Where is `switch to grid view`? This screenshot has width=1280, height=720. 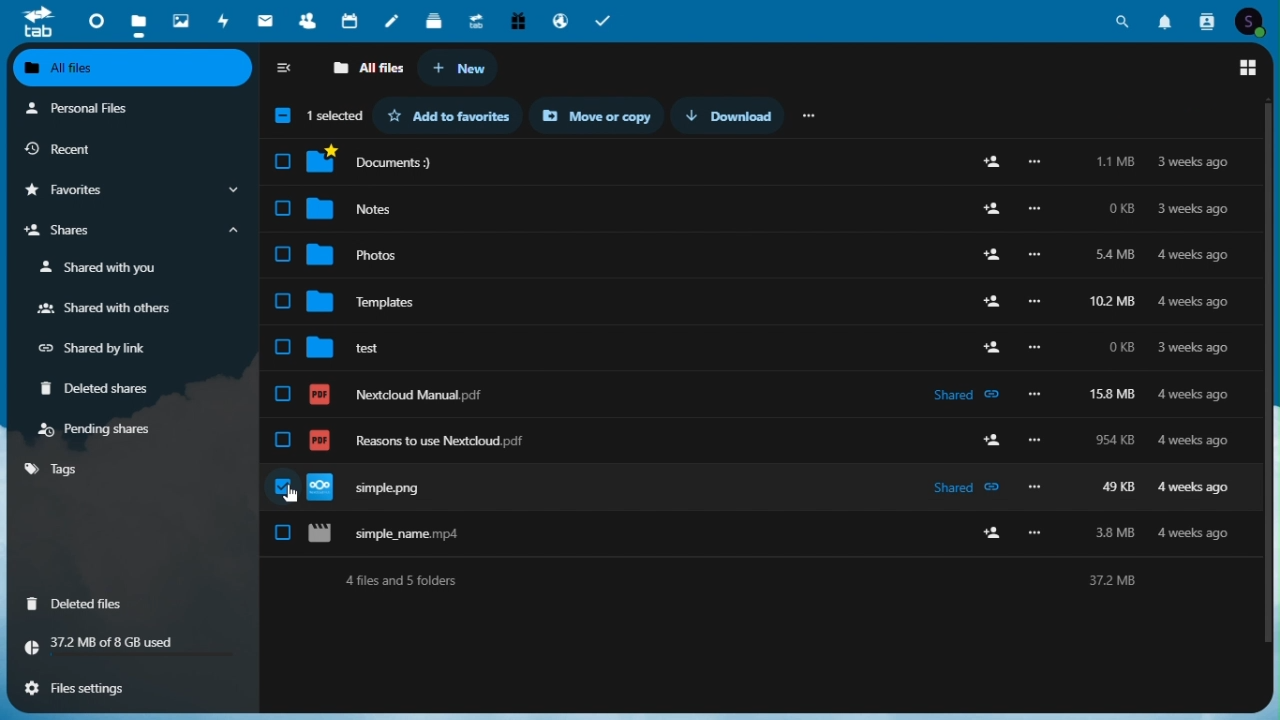
switch to grid view is located at coordinates (1249, 68).